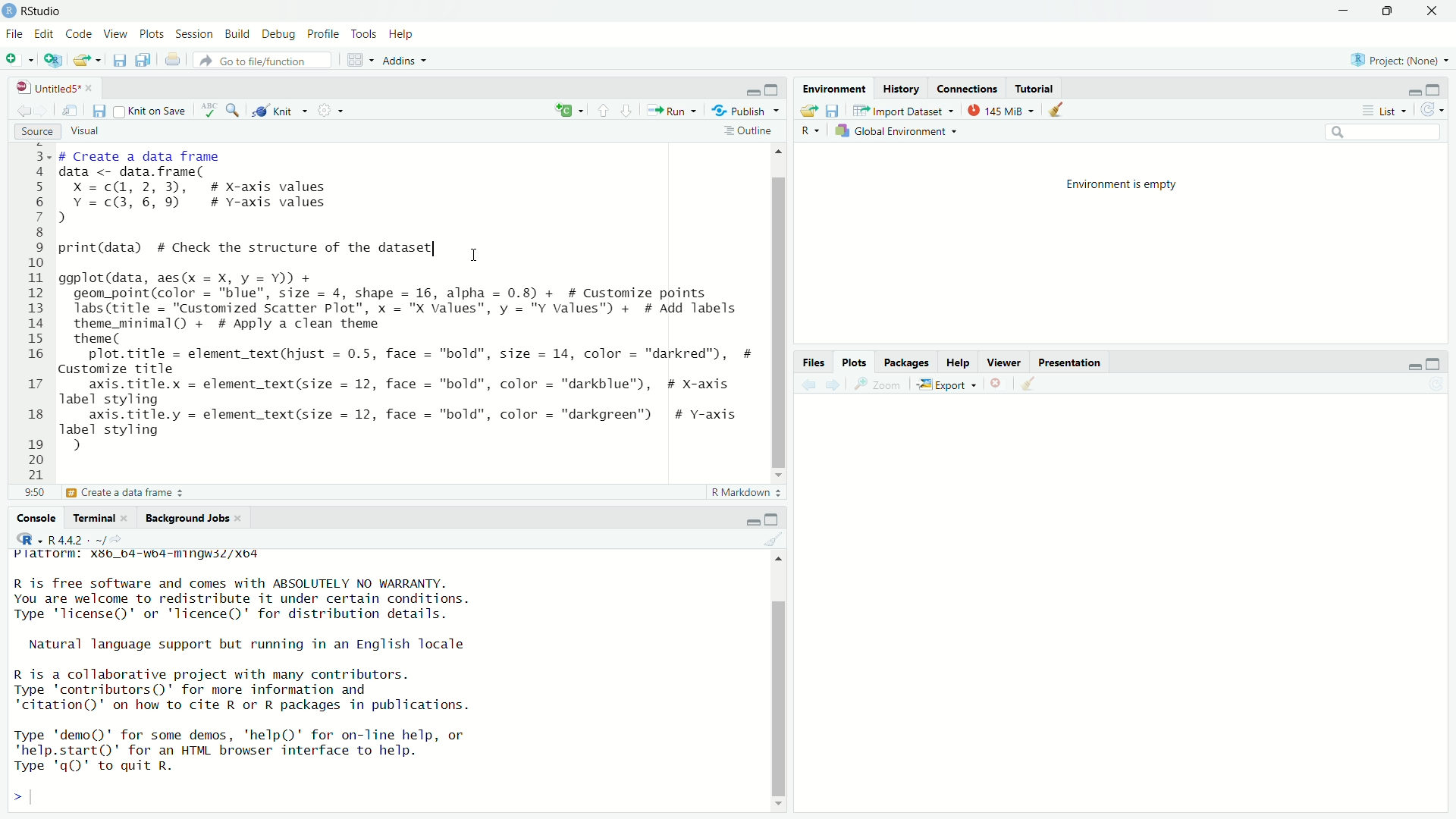  Describe the element at coordinates (877, 385) in the screenshot. I see `Zoom` at that location.